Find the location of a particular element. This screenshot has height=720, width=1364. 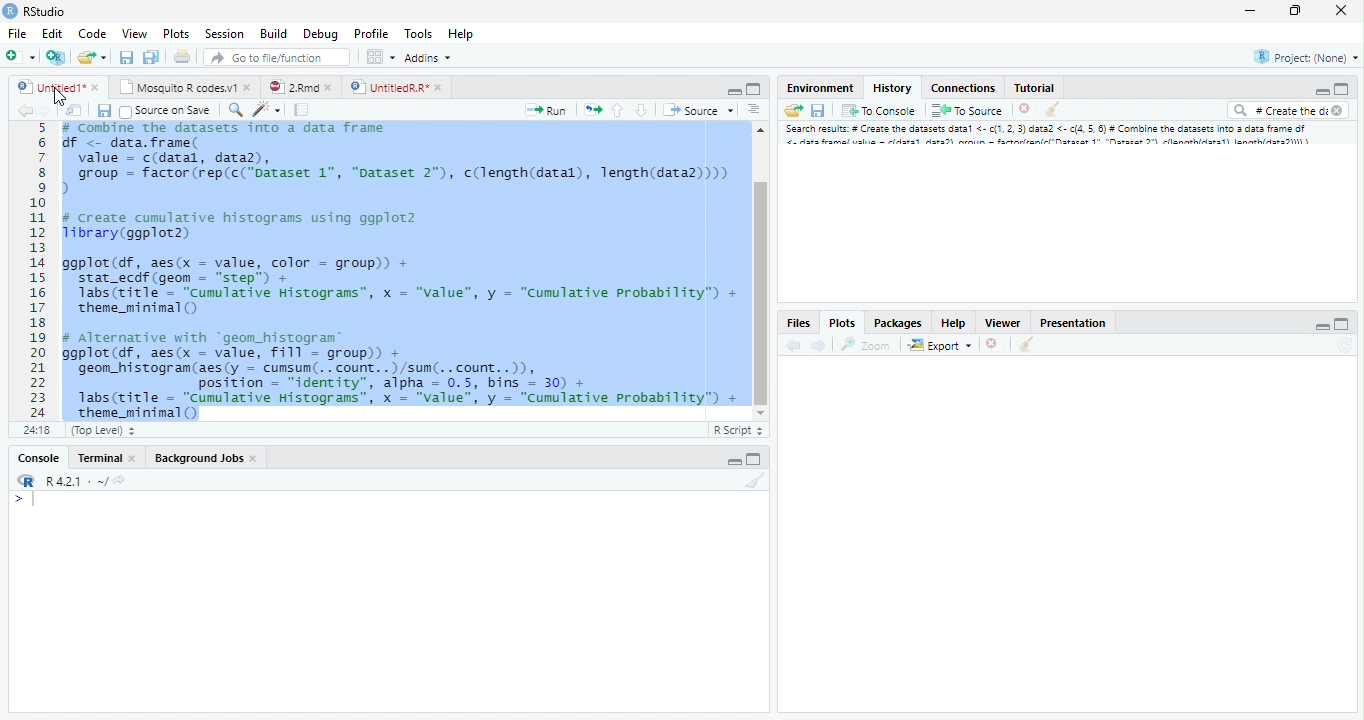

Plots is located at coordinates (841, 322).